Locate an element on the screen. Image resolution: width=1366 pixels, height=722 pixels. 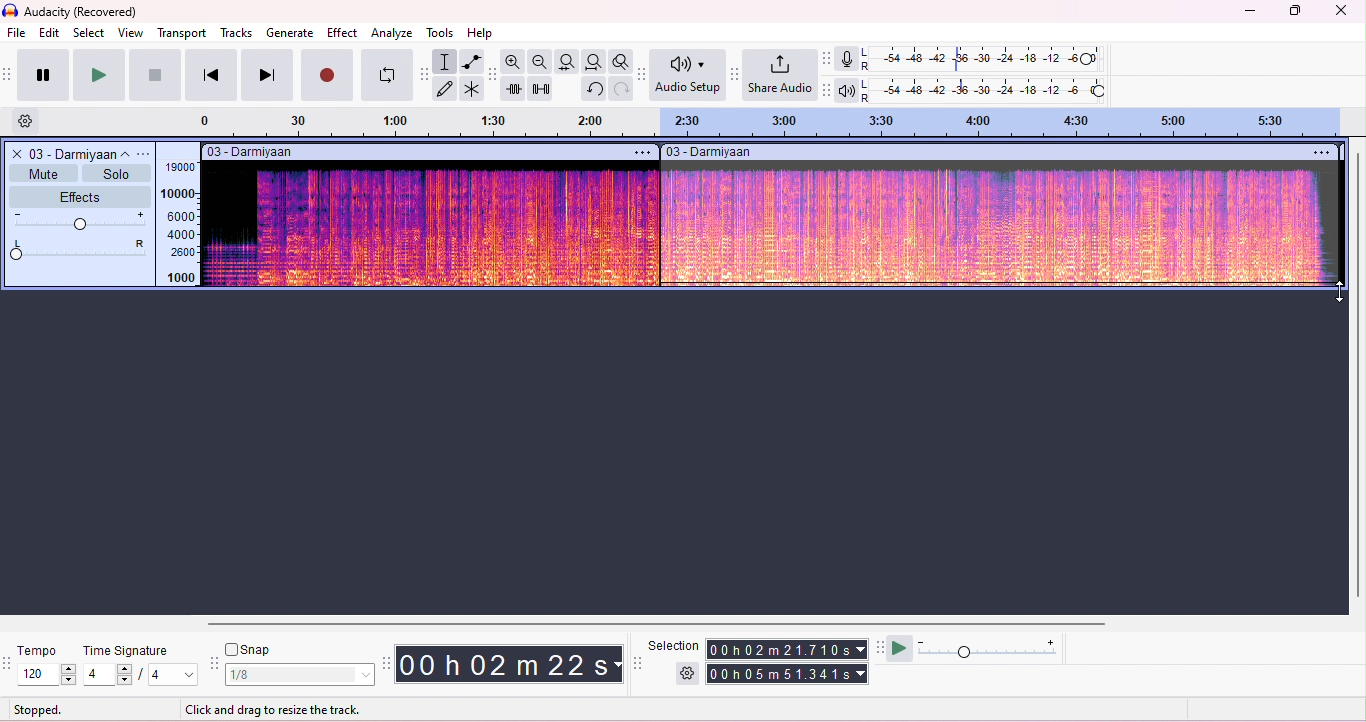
frequency is located at coordinates (177, 222).